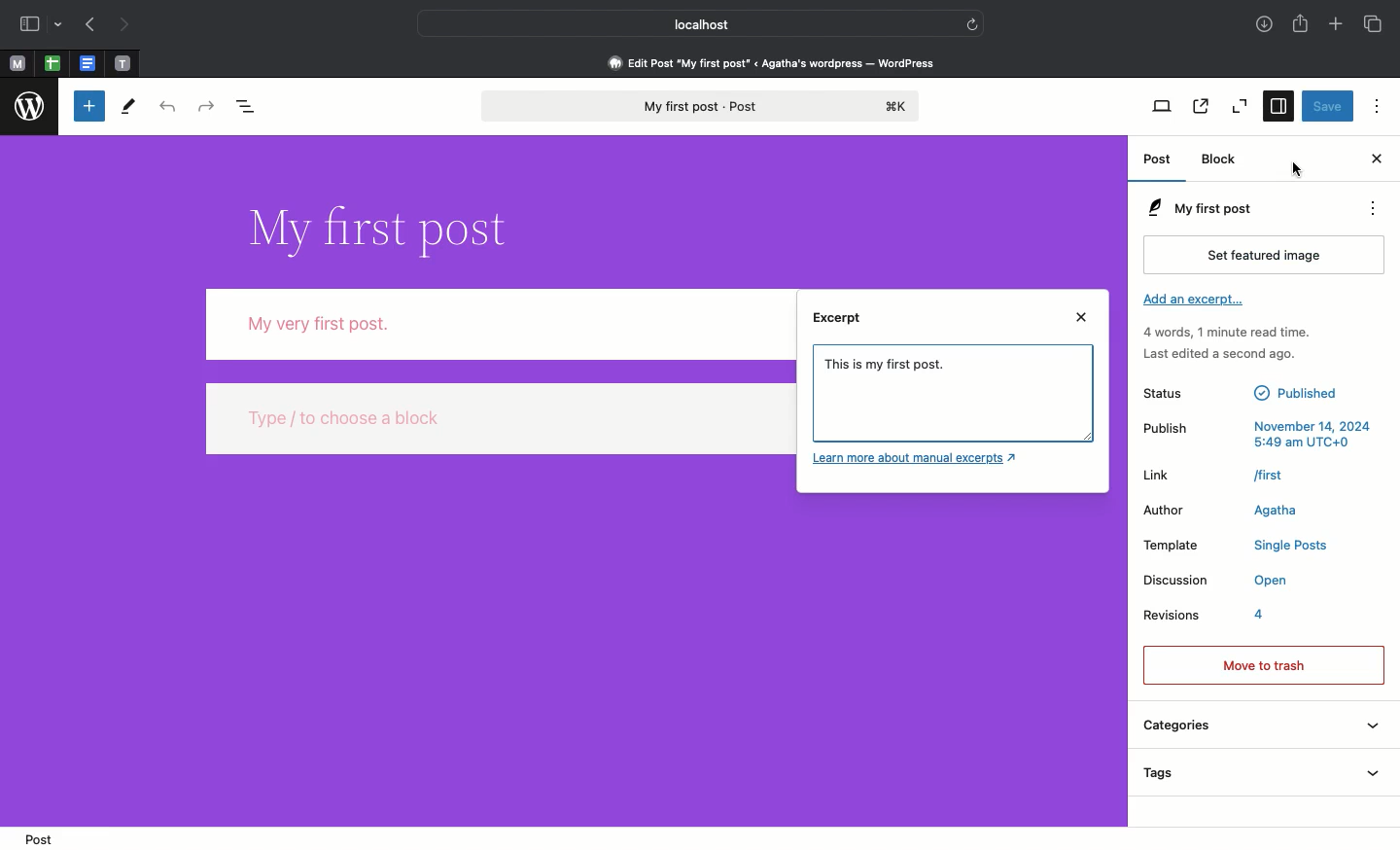 The width and height of the screenshot is (1400, 850). I want to click on Add new tab, so click(1335, 25).